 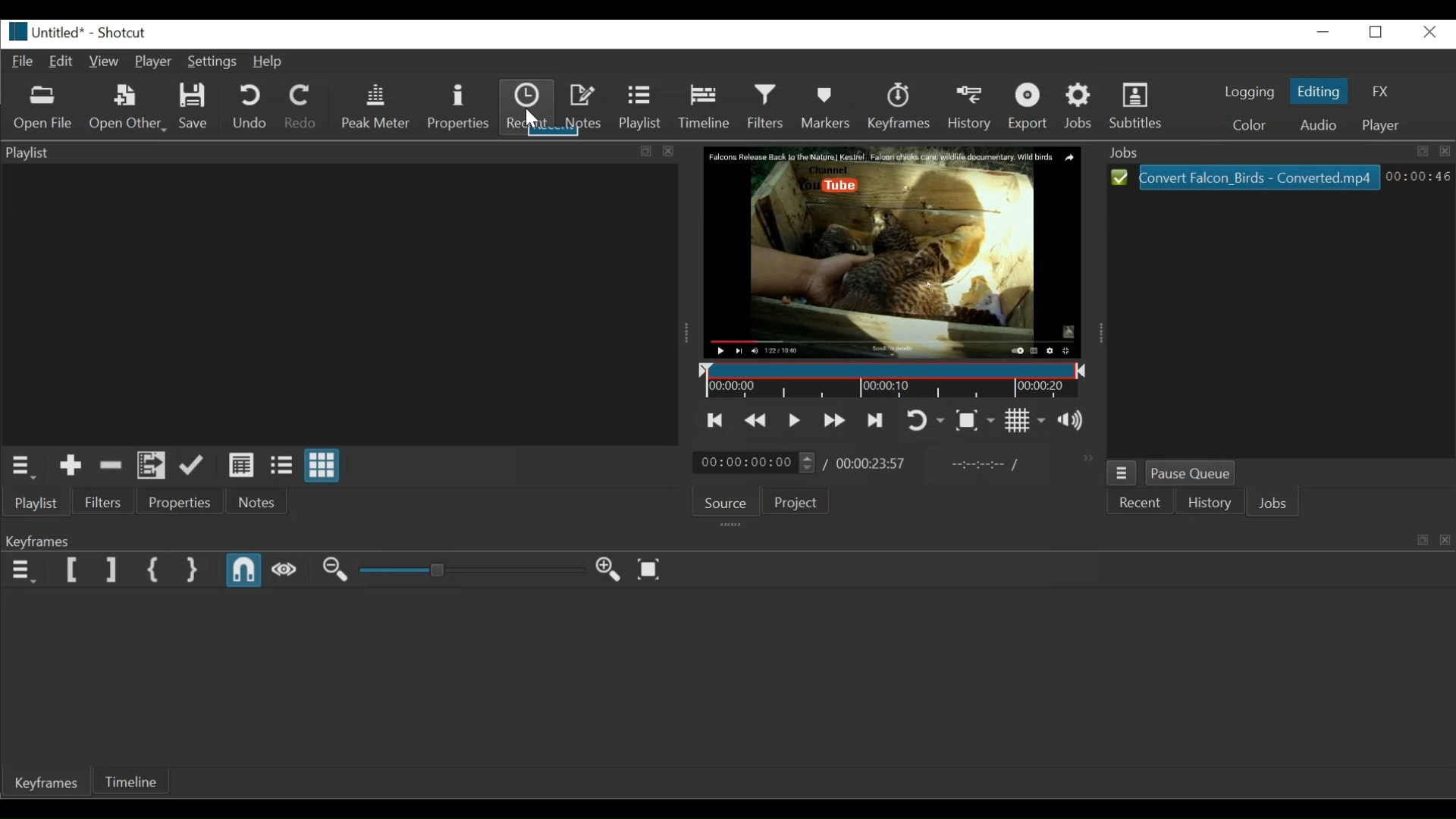 I want to click on Properties, so click(x=457, y=106).